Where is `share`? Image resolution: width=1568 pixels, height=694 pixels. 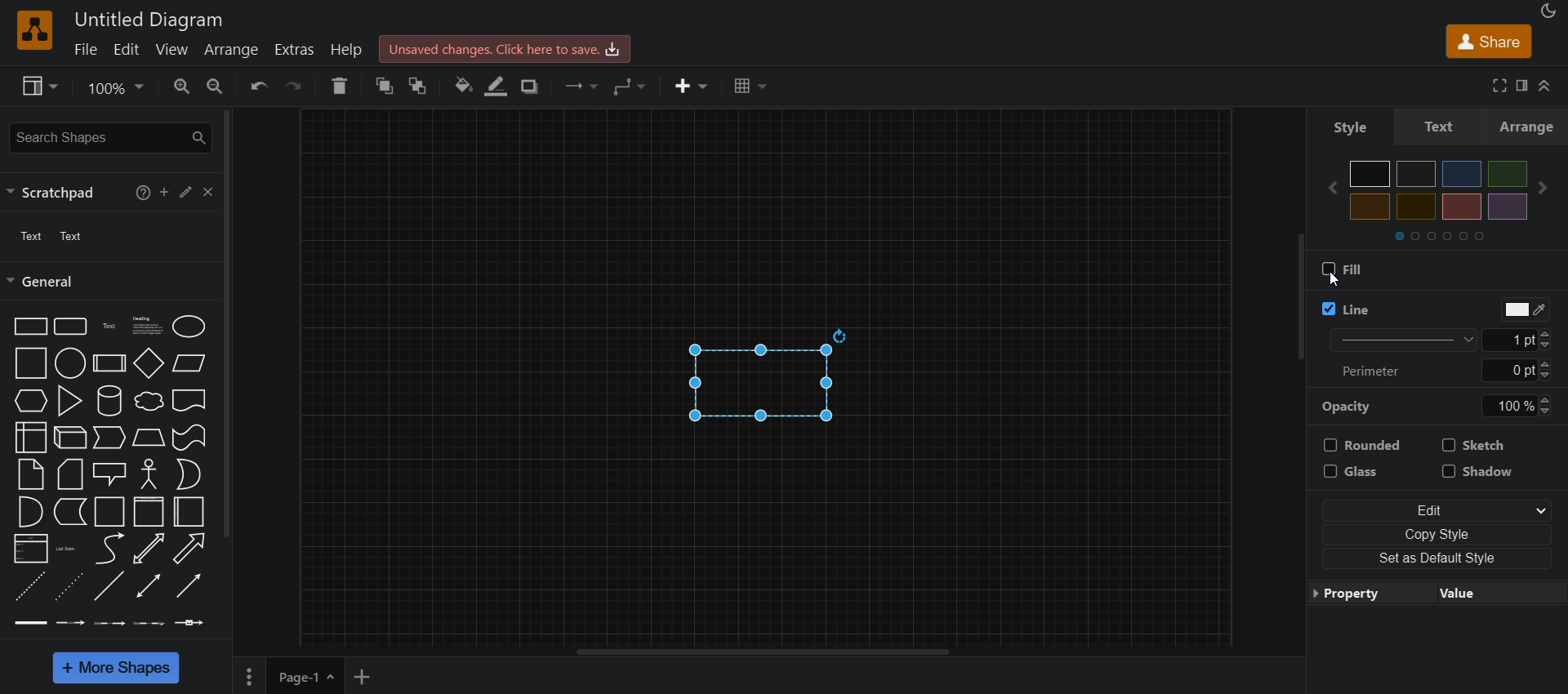 share is located at coordinates (1487, 39).